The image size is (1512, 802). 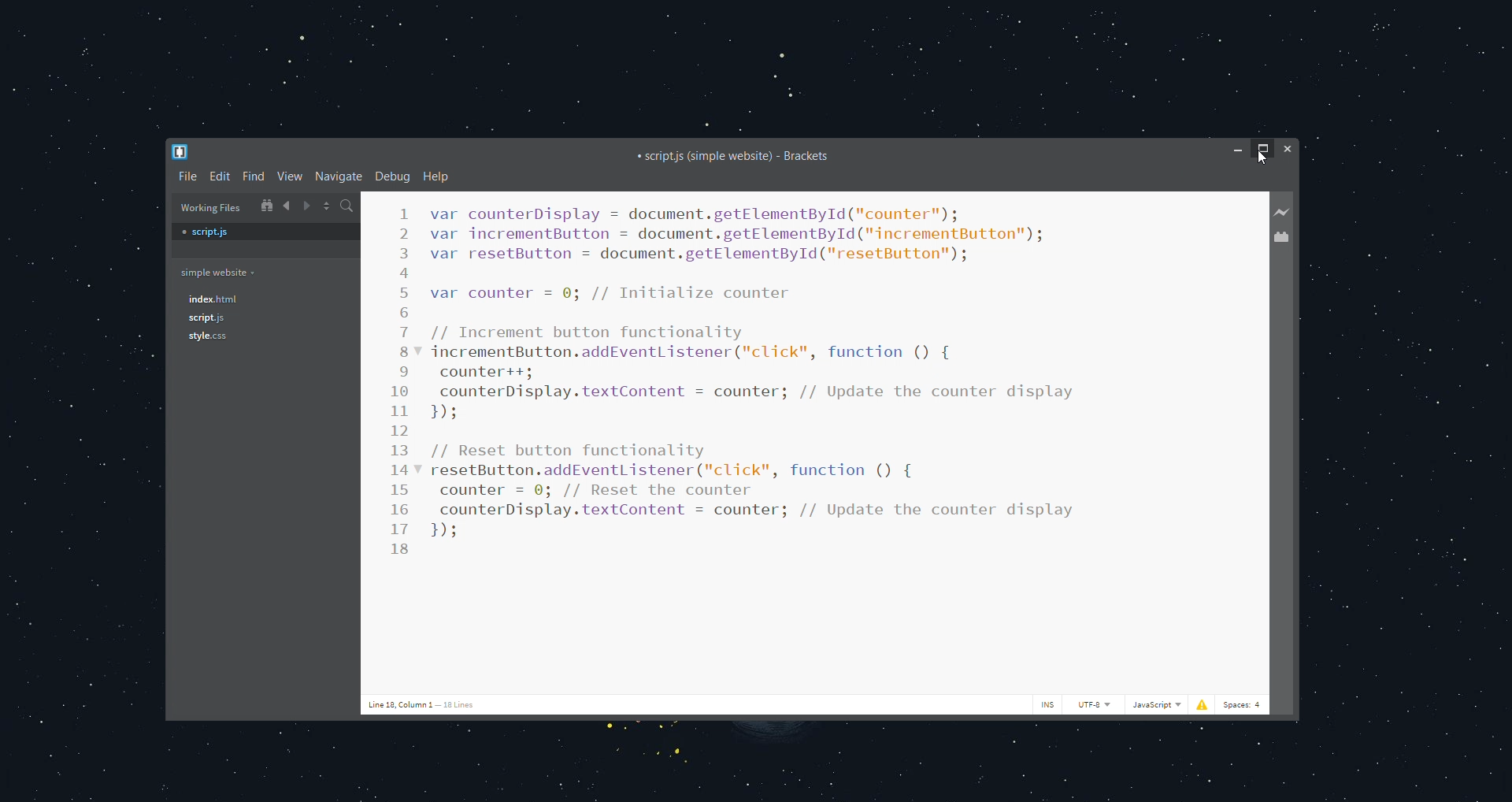 I want to click on current folder, so click(x=216, y=273).